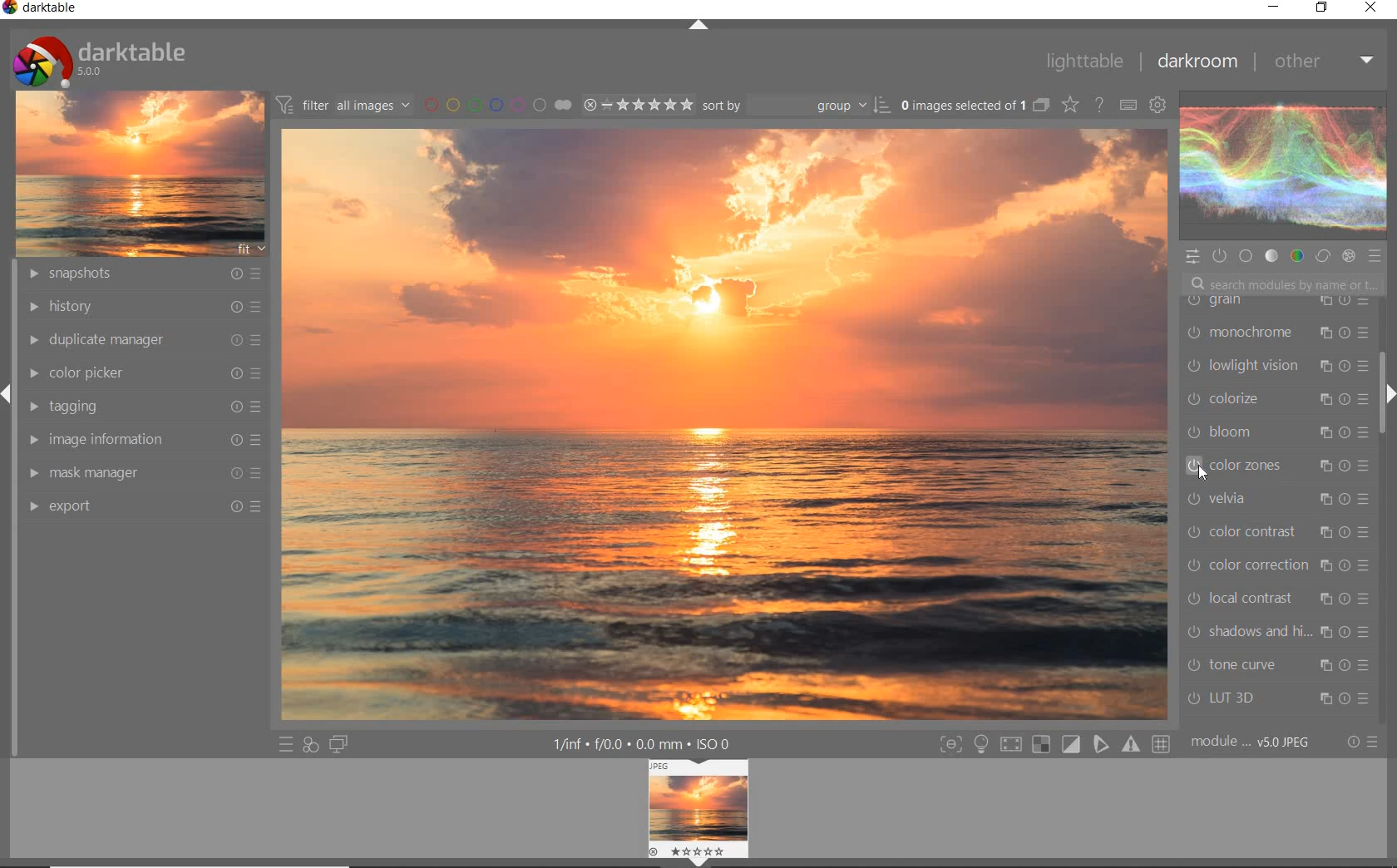 The image size is (1397, 868). I want to click on lowlight vision, so click(1276, 365).